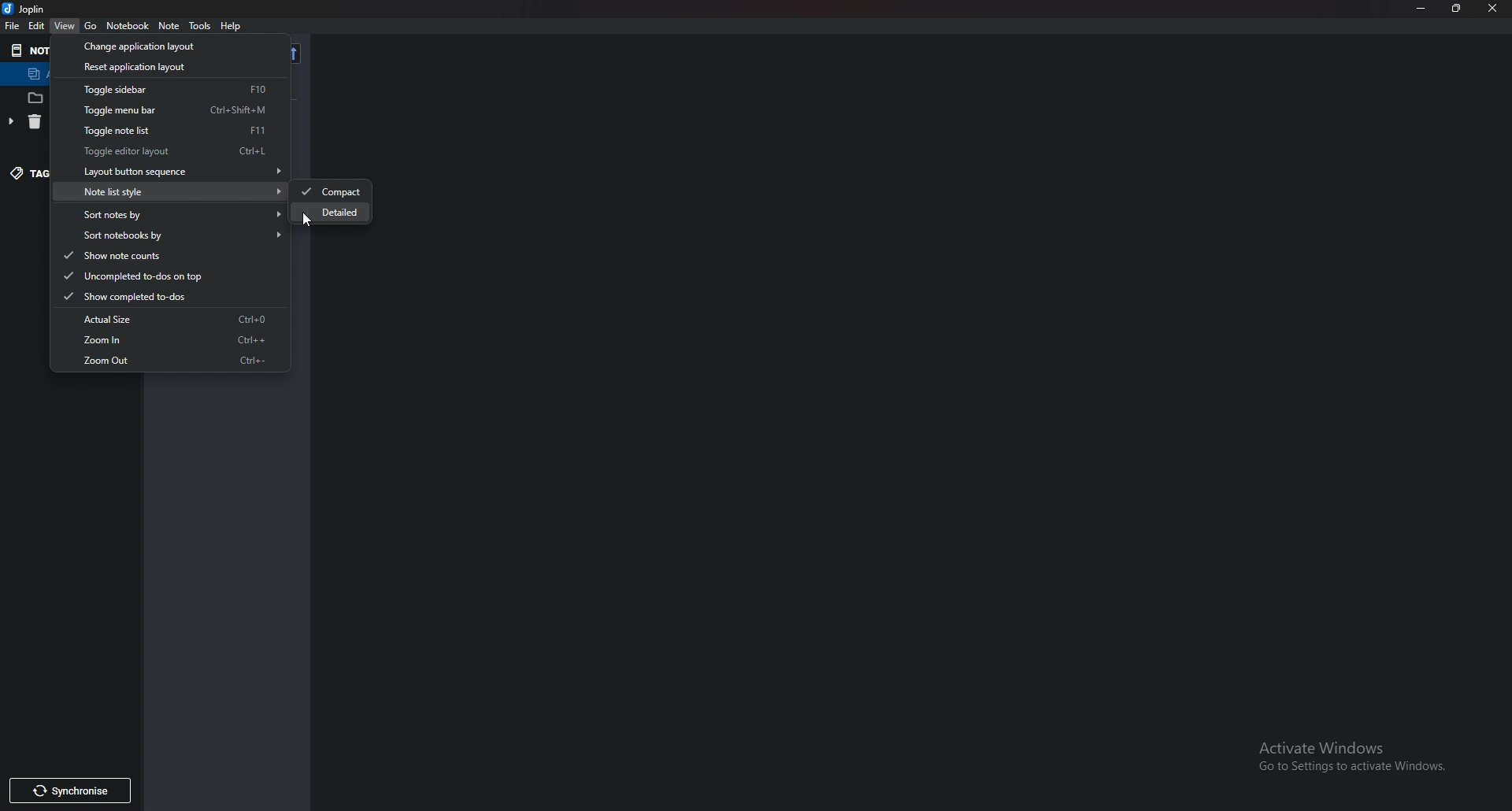 The width and height of the screenshot is (1512, 811). I want to click on toggle editor layout, so click(168, 151).